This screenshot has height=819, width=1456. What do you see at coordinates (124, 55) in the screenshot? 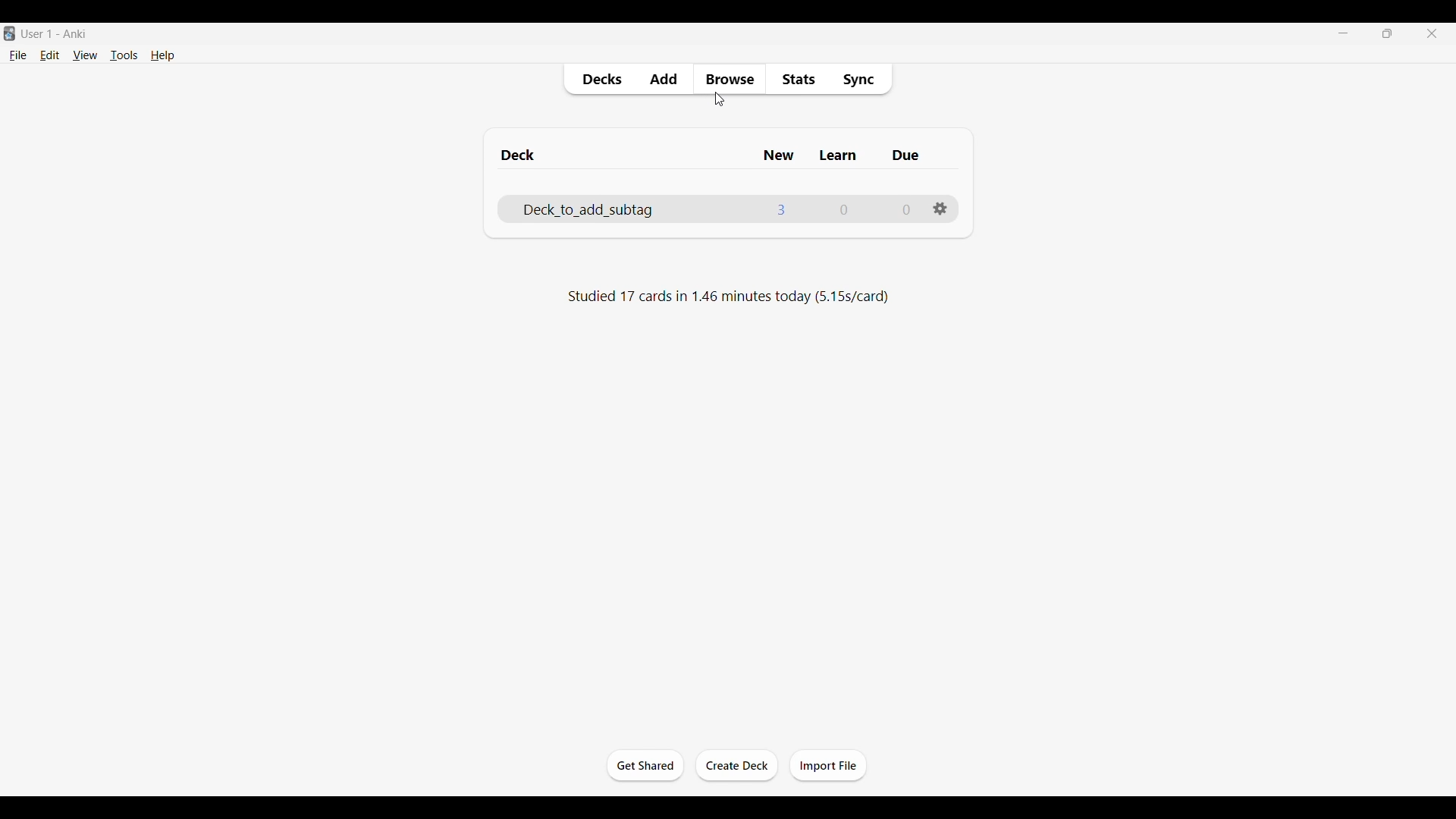
I see `Tools menu` at bounding box center [124, 55].